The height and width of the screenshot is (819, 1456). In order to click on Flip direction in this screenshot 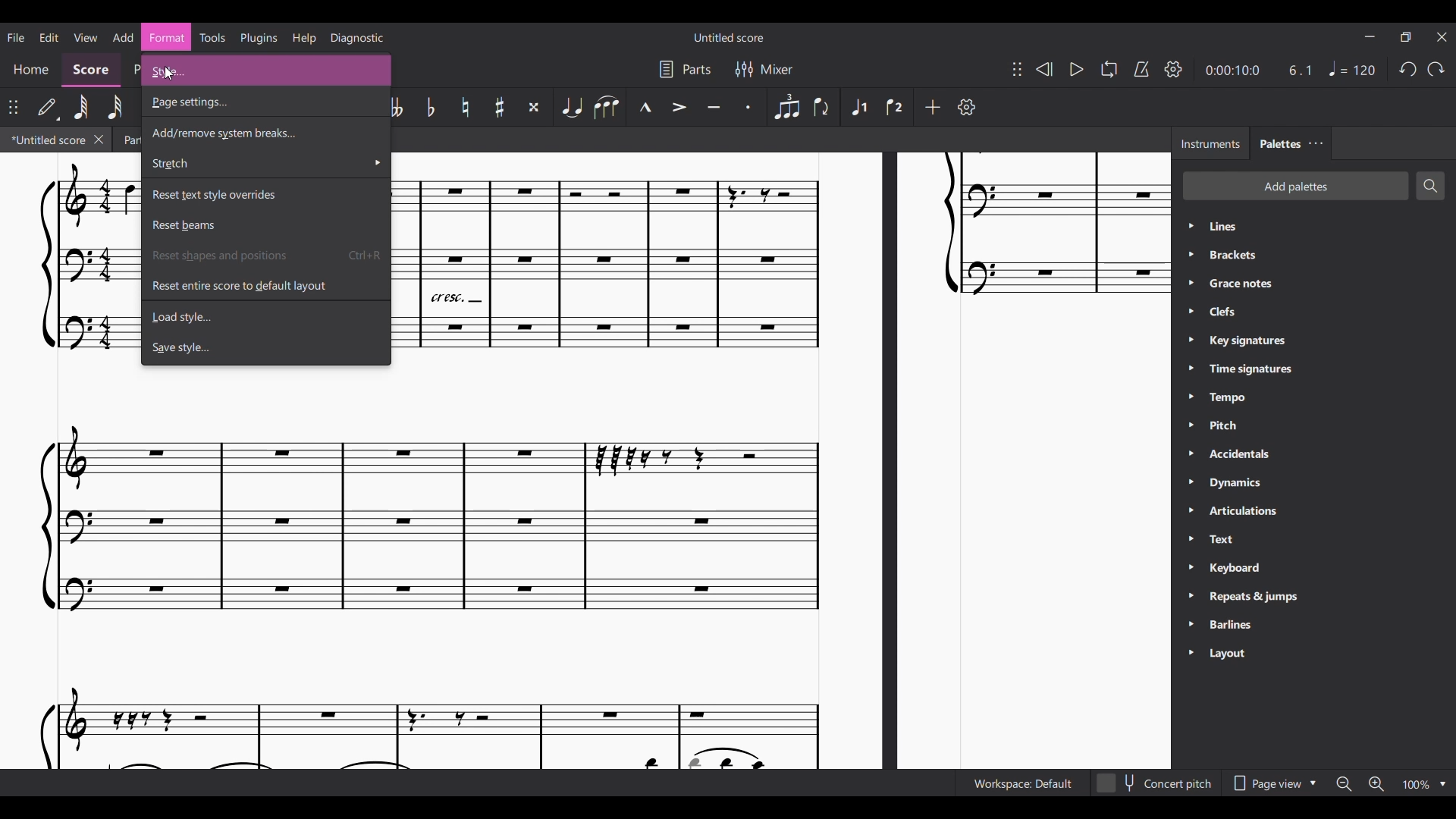, I will do `click(822, 108)`.